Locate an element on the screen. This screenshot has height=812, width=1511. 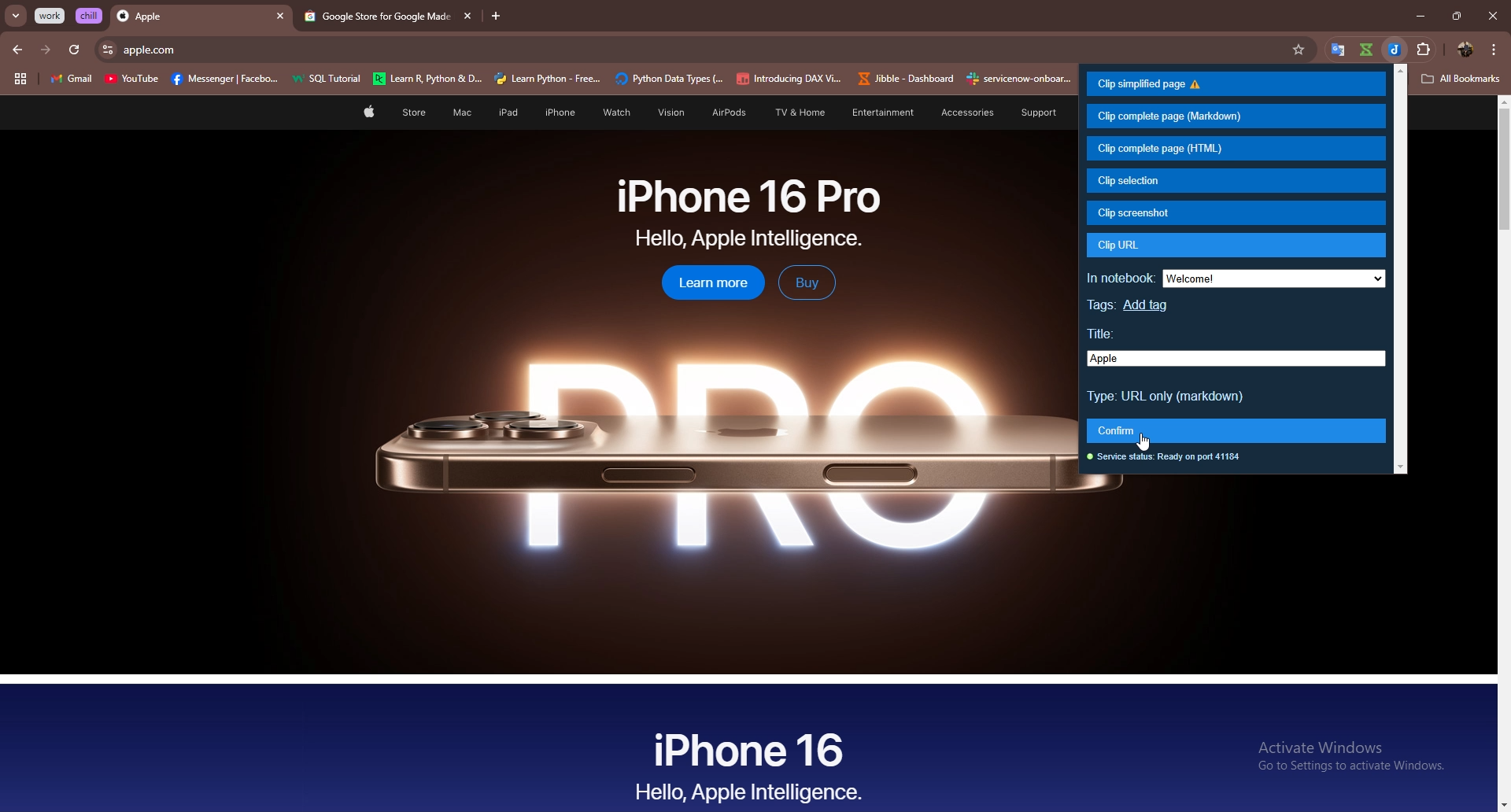
add tag is located at coordinates (1148, 305).